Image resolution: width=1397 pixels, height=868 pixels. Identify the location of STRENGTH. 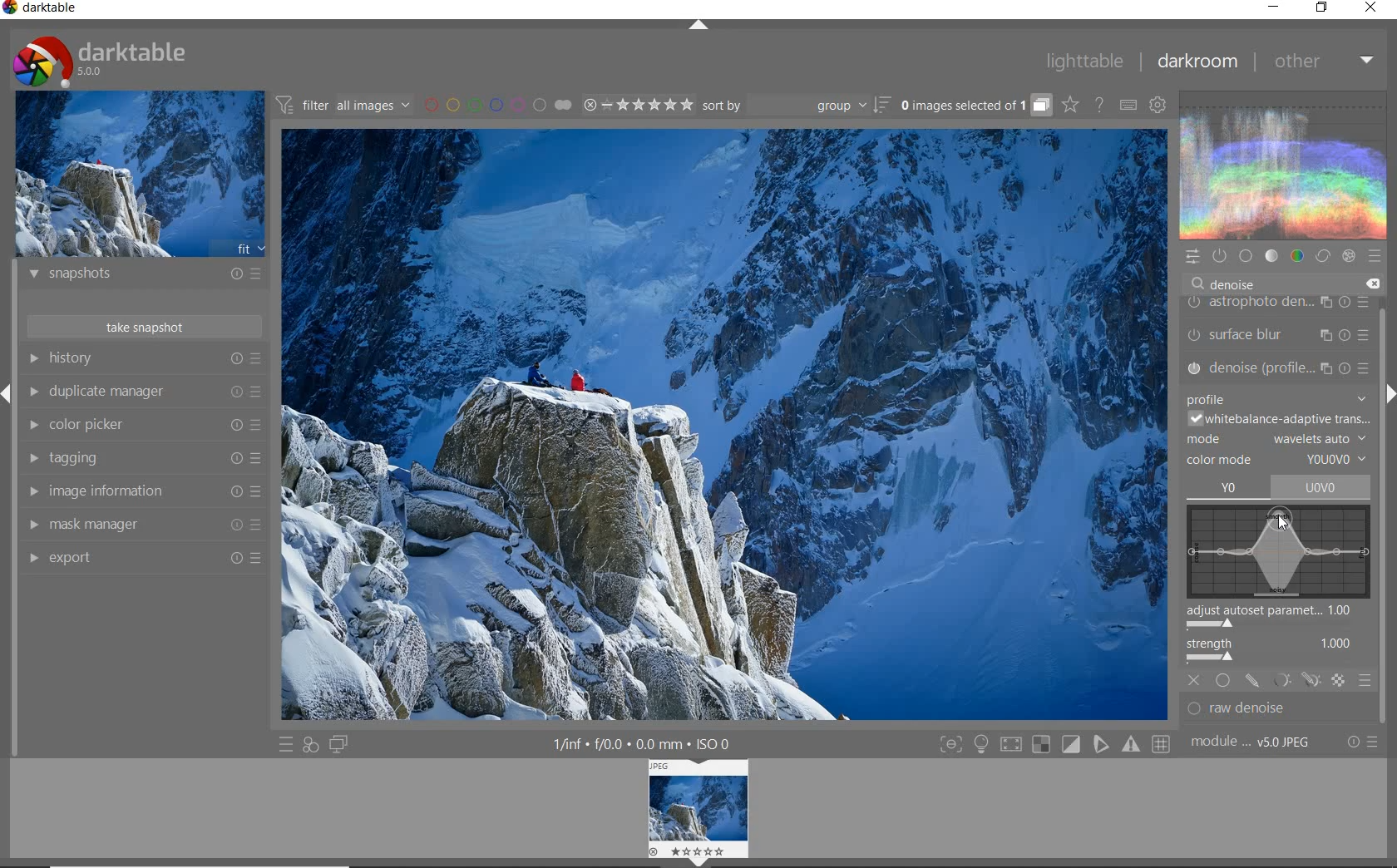
(1281, 652).